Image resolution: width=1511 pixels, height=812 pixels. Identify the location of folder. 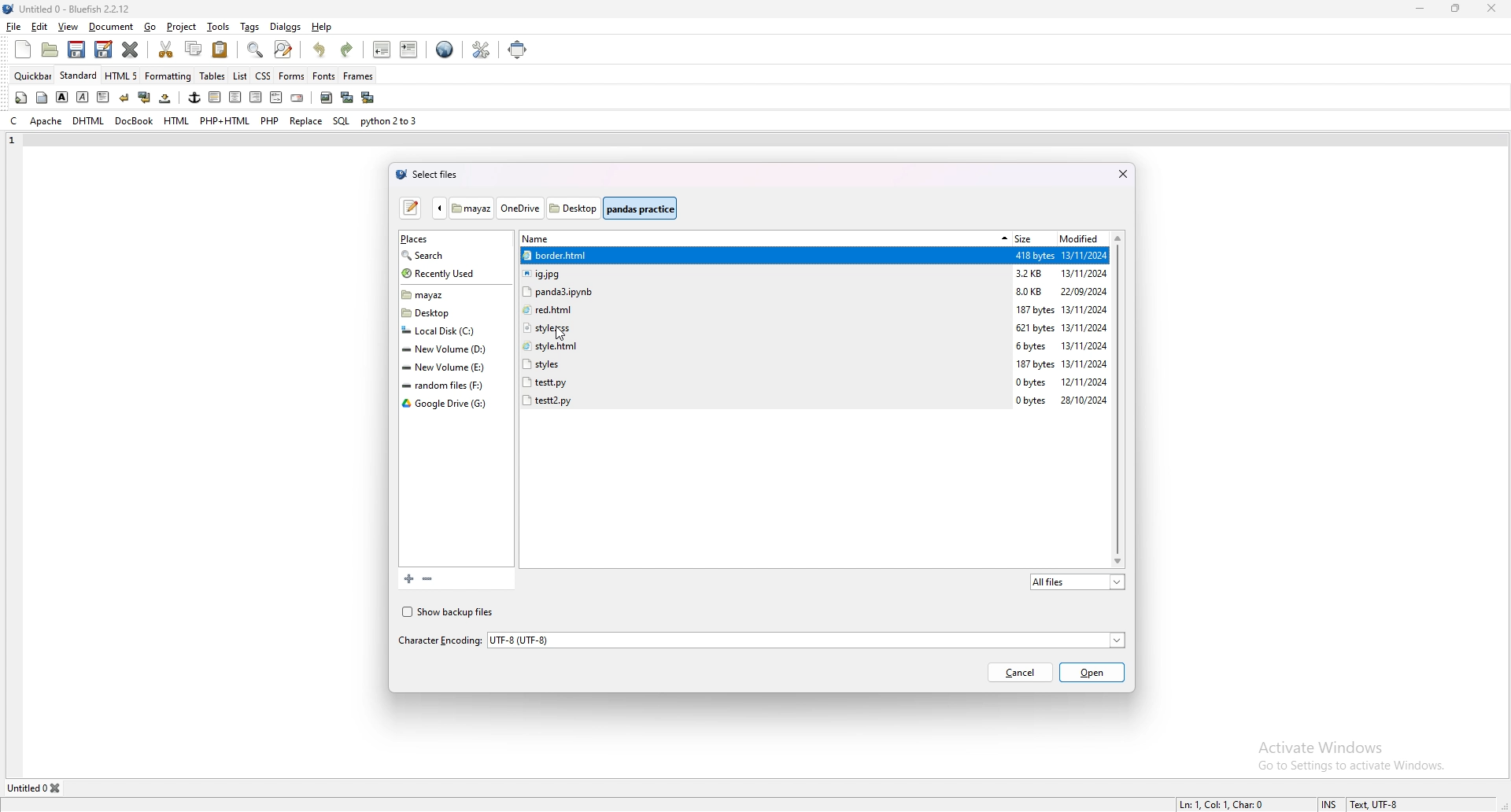
(452, 385).